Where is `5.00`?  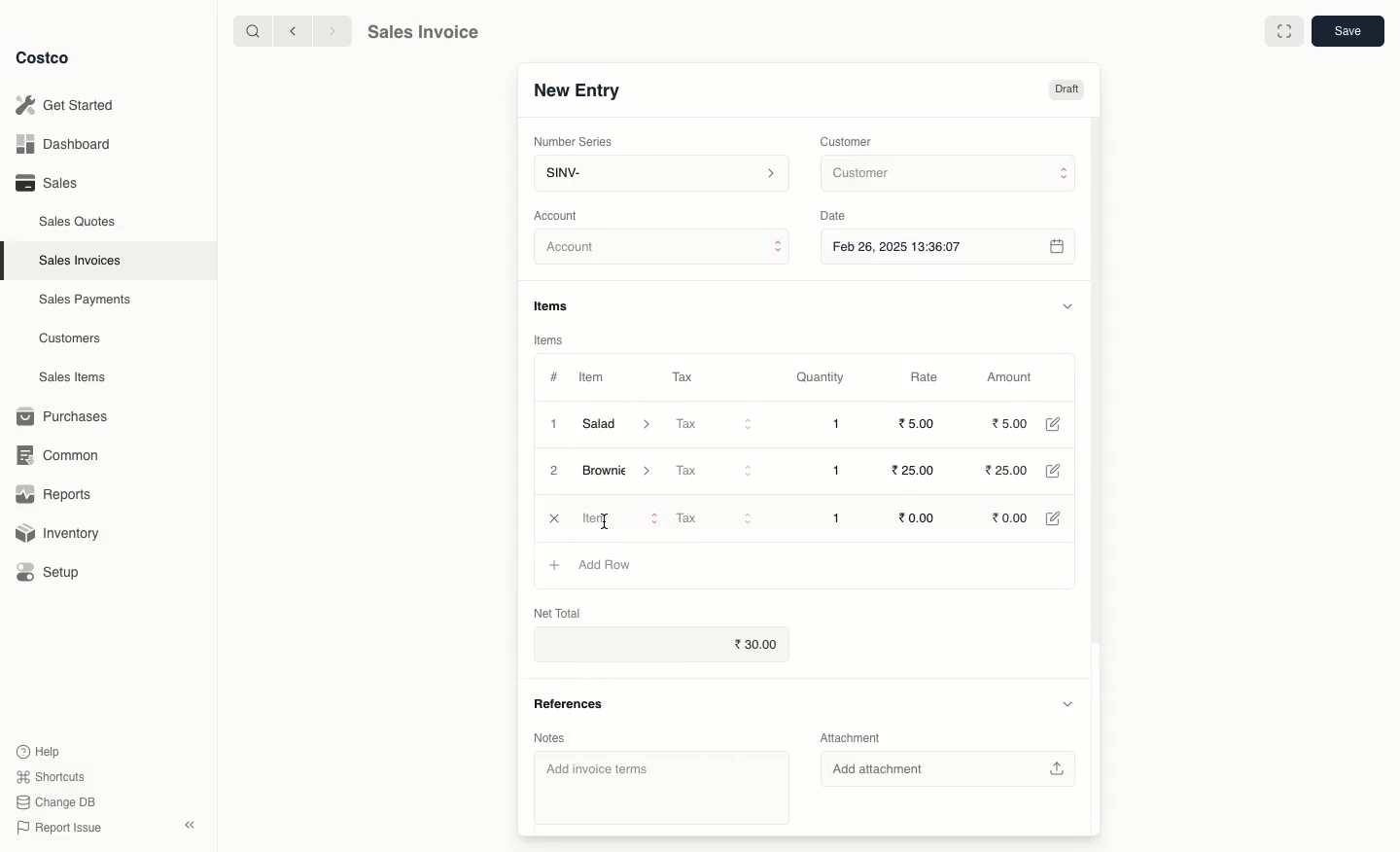
5.00 is located at coordinates (920, 423).